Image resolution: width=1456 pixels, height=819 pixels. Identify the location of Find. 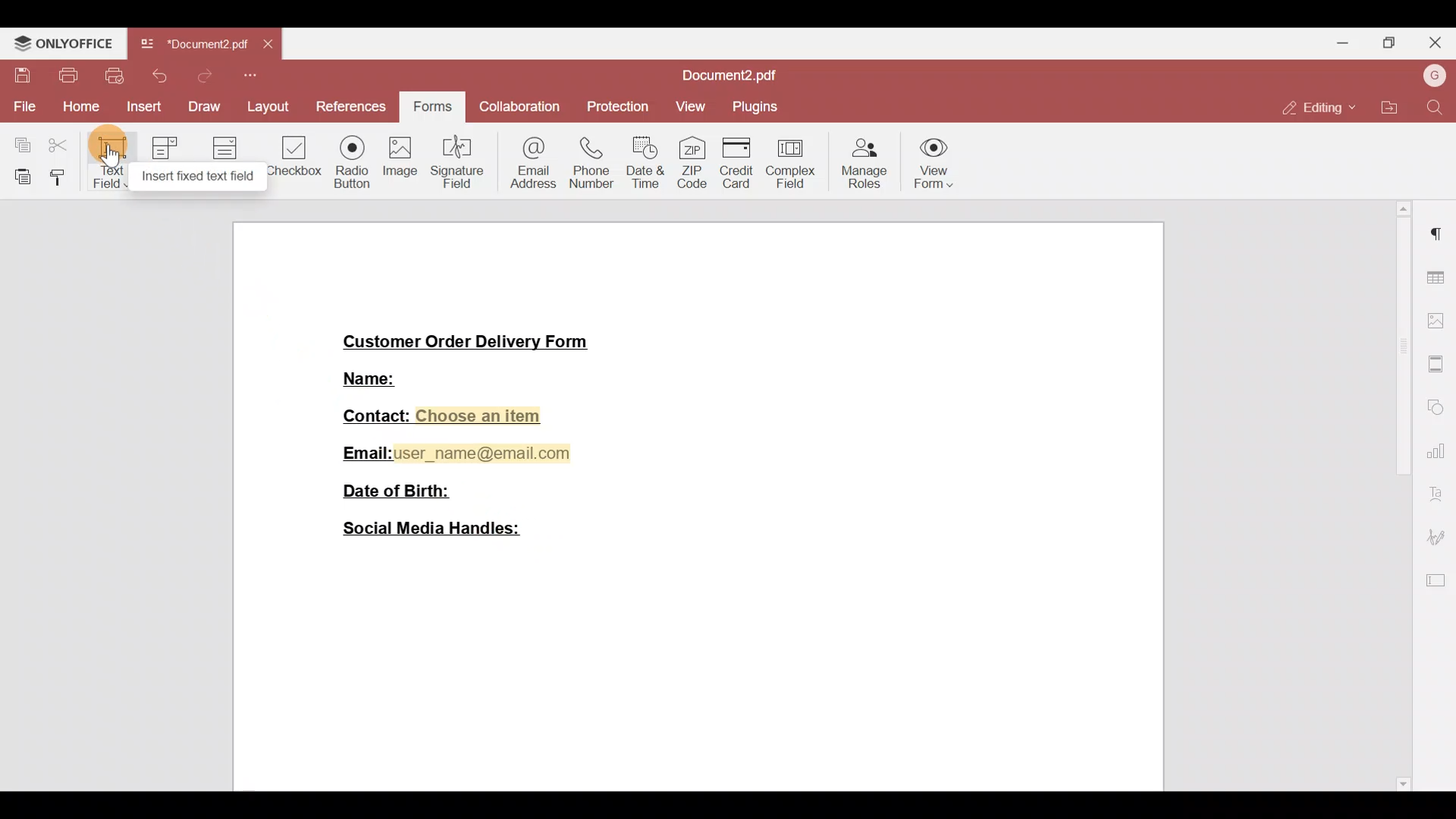
(1436, 108).